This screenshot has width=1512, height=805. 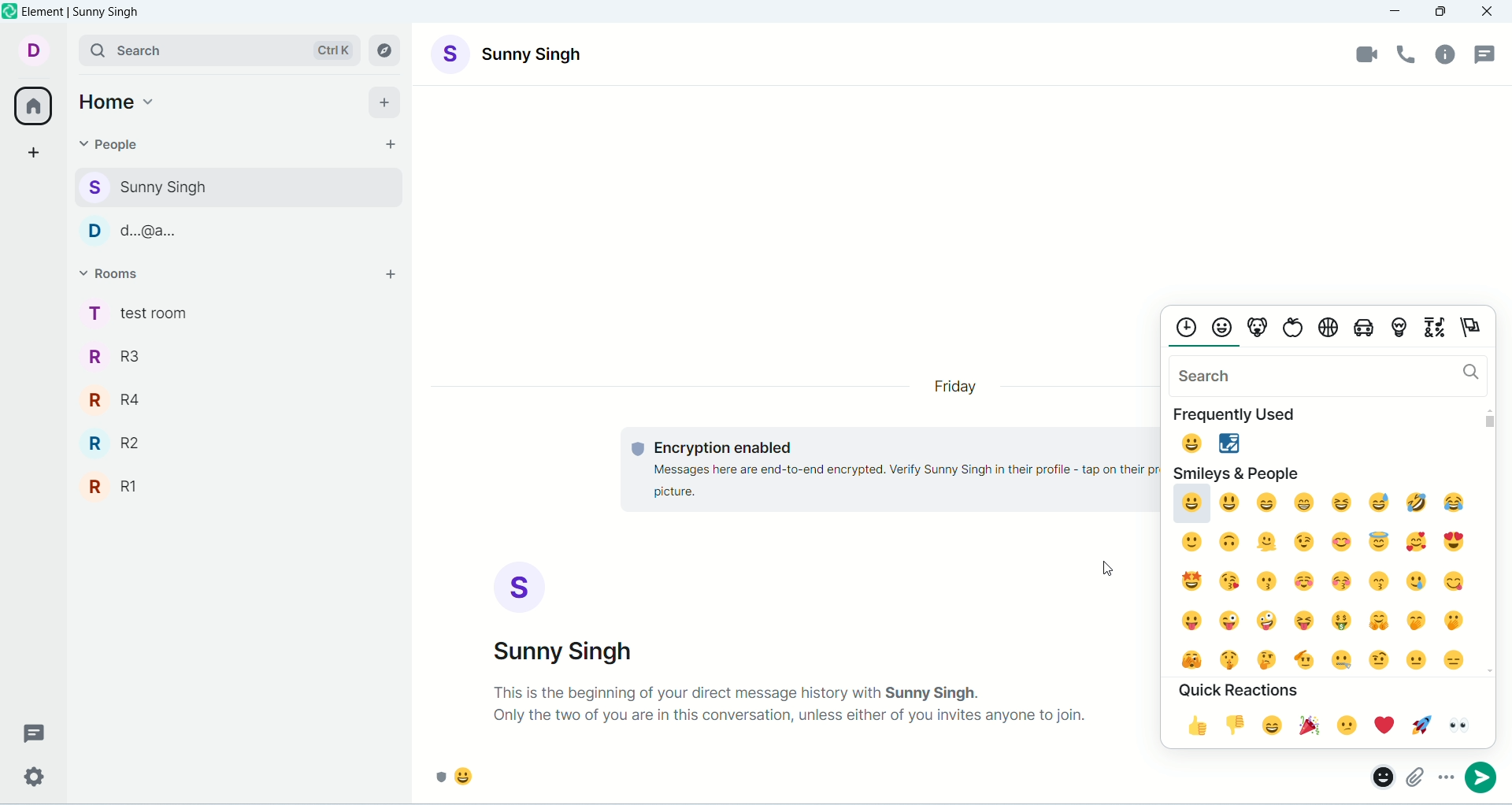 What do you see at coordinates (29, 733) in the screenshot?
I see `threads` at bounding box center [29, 733].